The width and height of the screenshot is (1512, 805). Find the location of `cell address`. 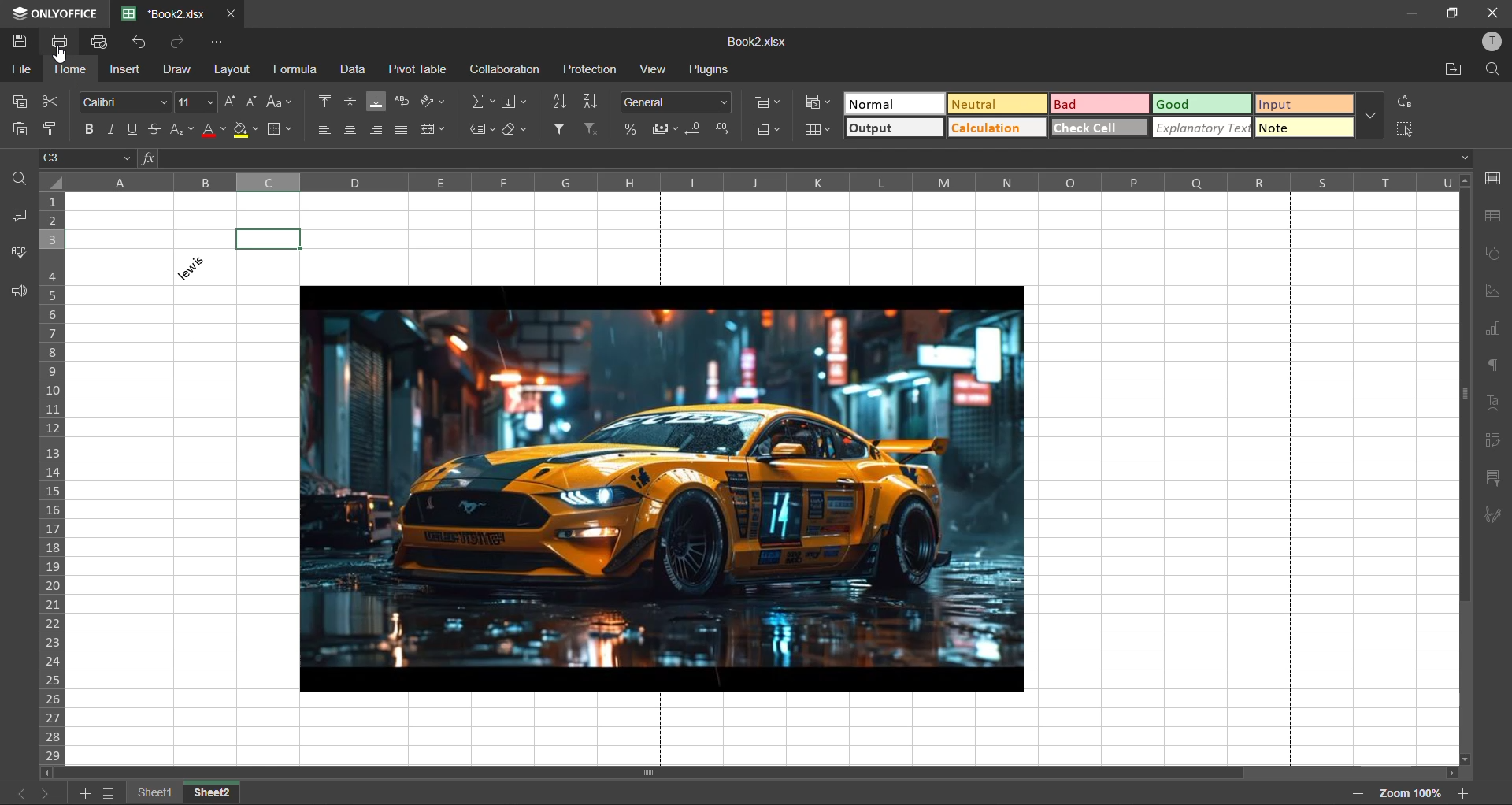

cell address is located at coordinates (90, 157).